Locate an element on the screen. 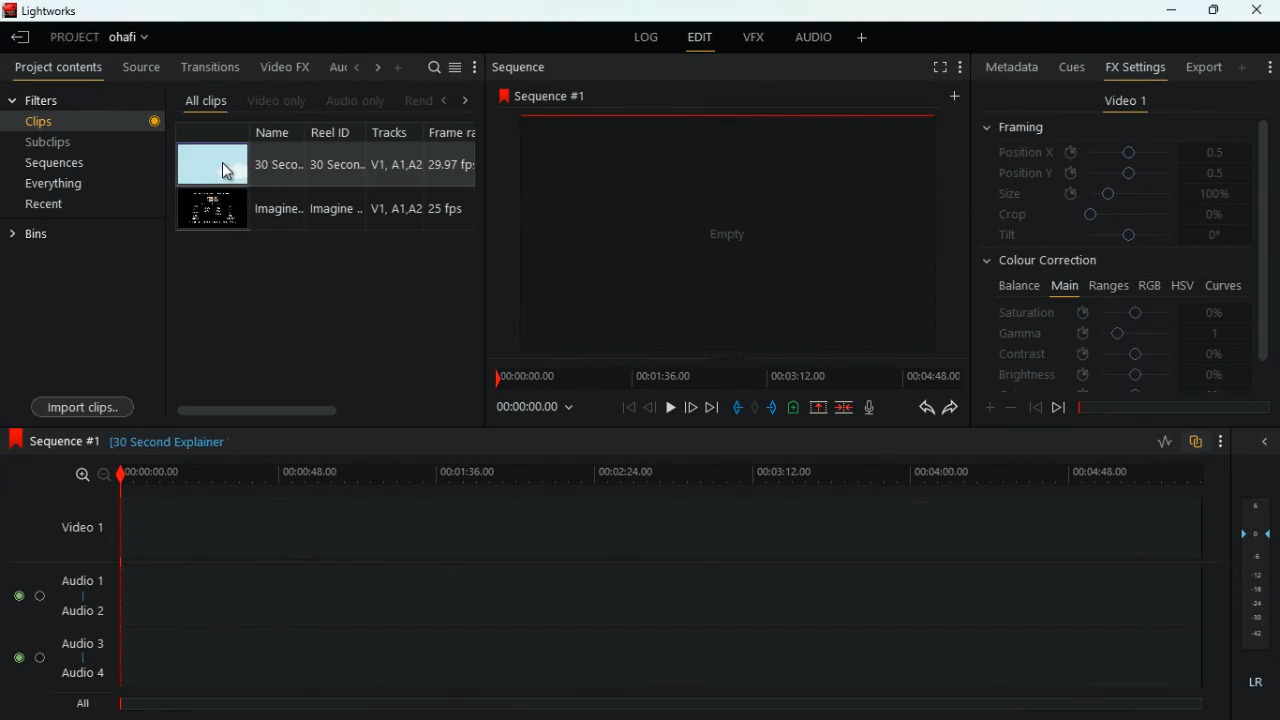 This screenshot has width=1280, height=720.  is located at coordinates (1256, 619).